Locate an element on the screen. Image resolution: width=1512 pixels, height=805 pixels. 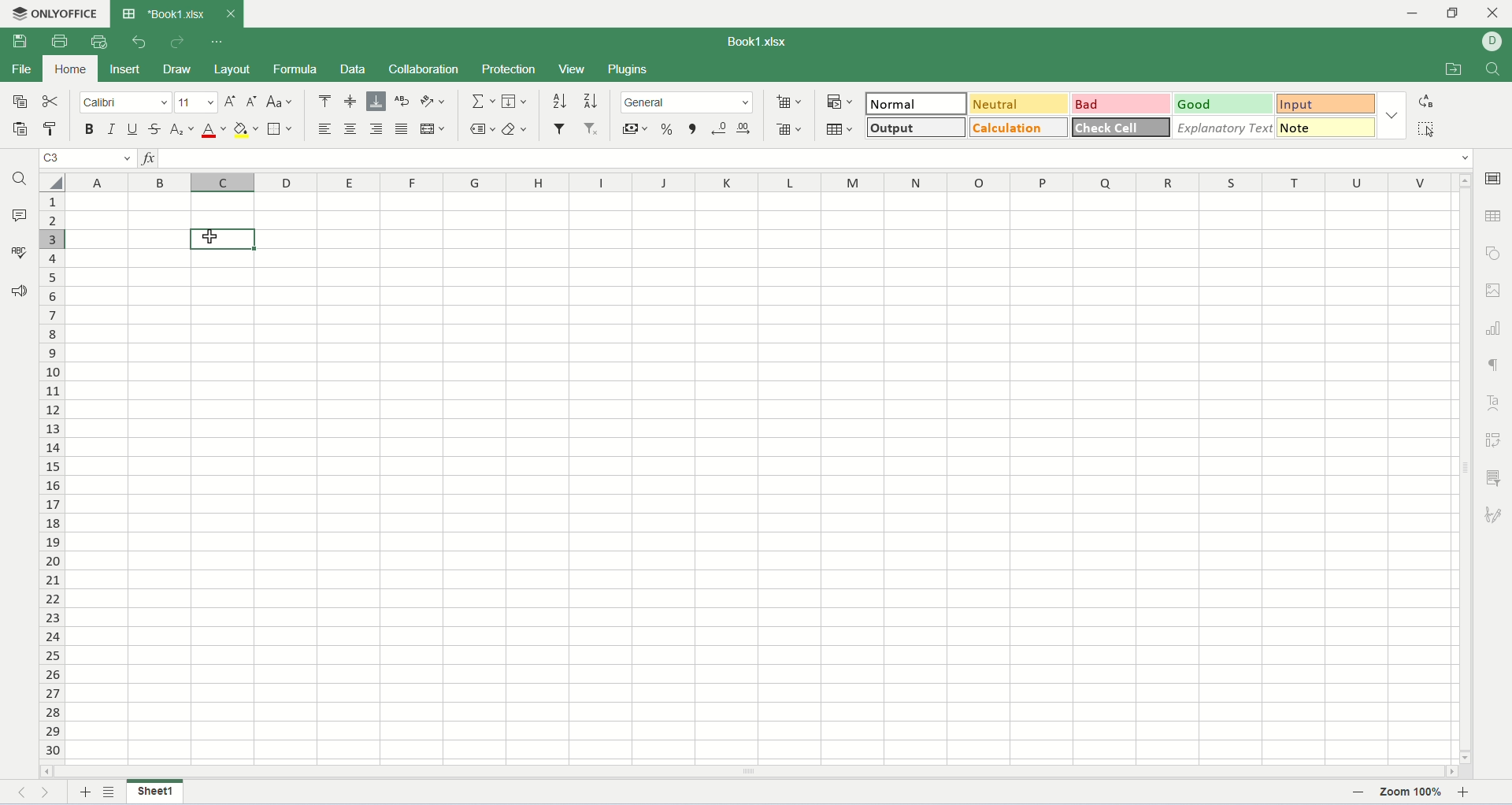
align left is located at coordinates (324, 128).